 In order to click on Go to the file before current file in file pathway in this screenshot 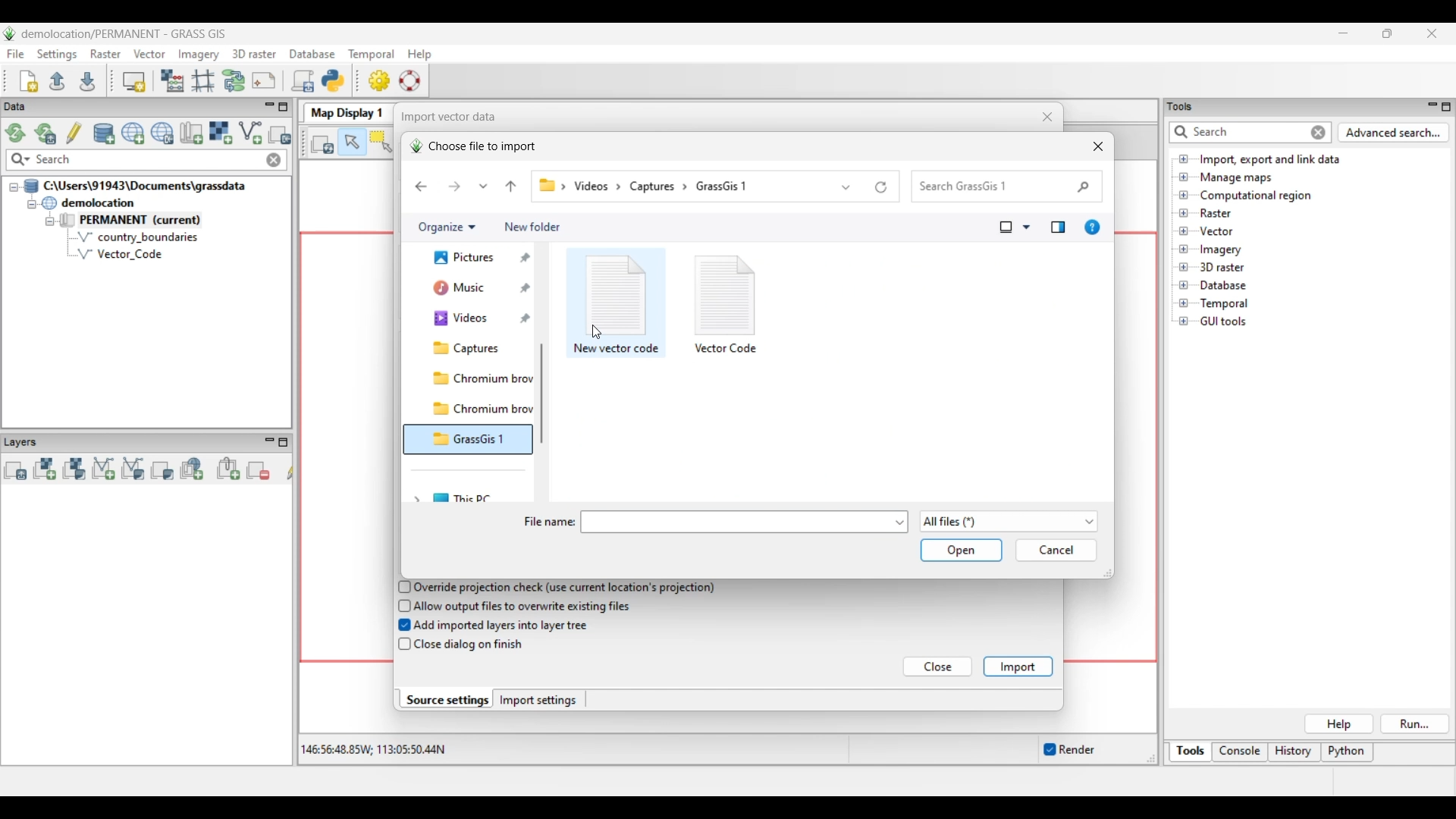, I will do `click(511, 187)`.